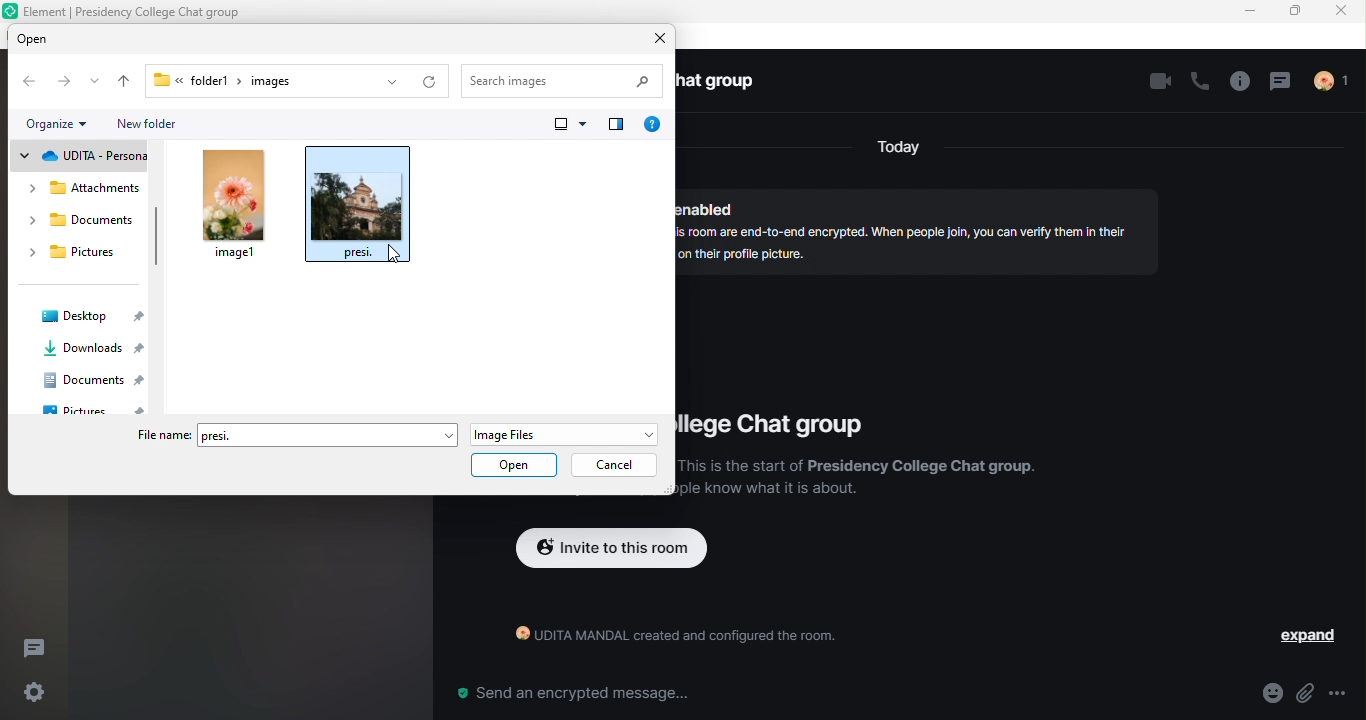 The height and width of the screenshot is (720, 1366). Describe the element at coordinates (1346, 693) in the screenshot. I see `option` at that location.